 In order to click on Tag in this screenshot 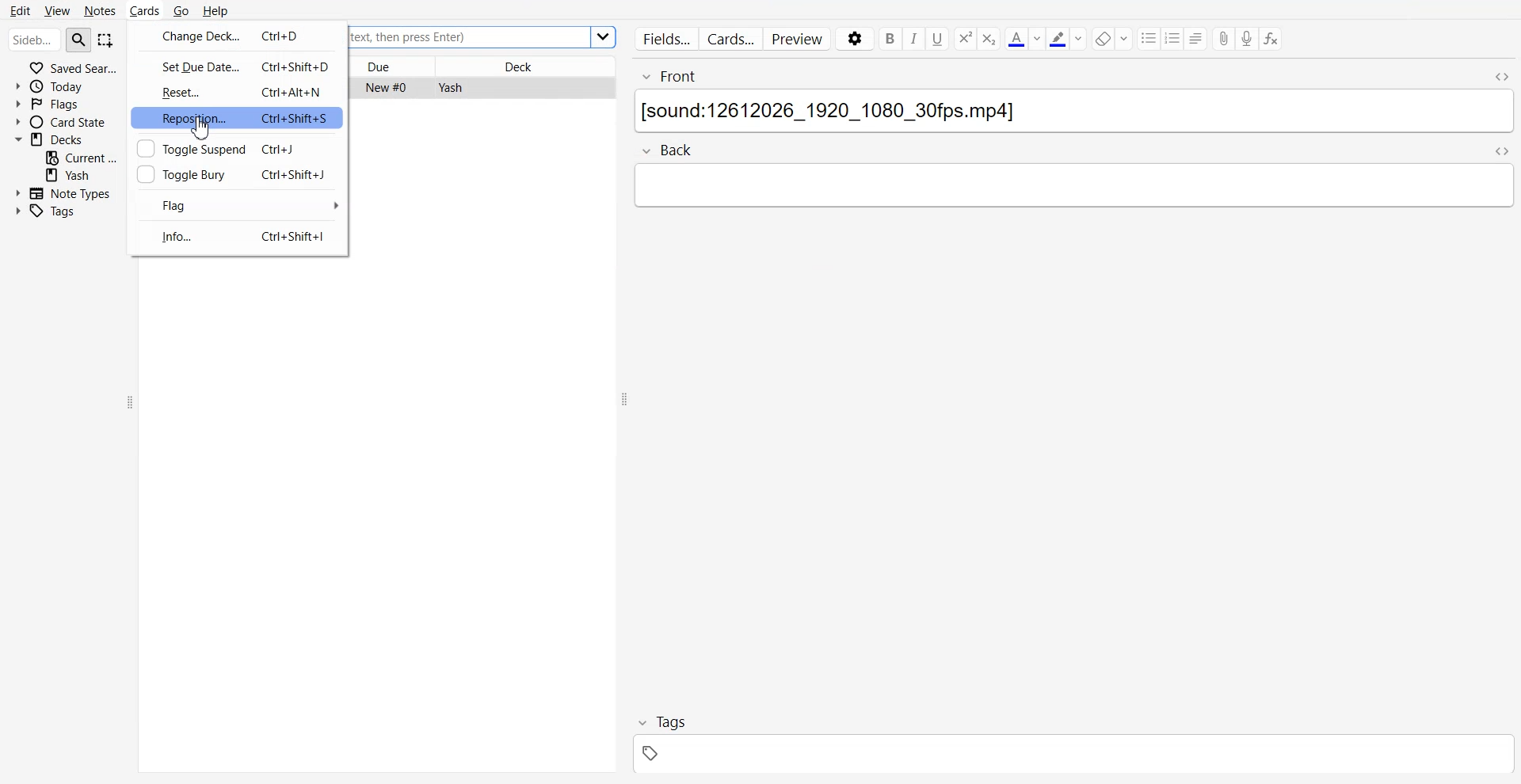, I will do `click(660, 721)`.